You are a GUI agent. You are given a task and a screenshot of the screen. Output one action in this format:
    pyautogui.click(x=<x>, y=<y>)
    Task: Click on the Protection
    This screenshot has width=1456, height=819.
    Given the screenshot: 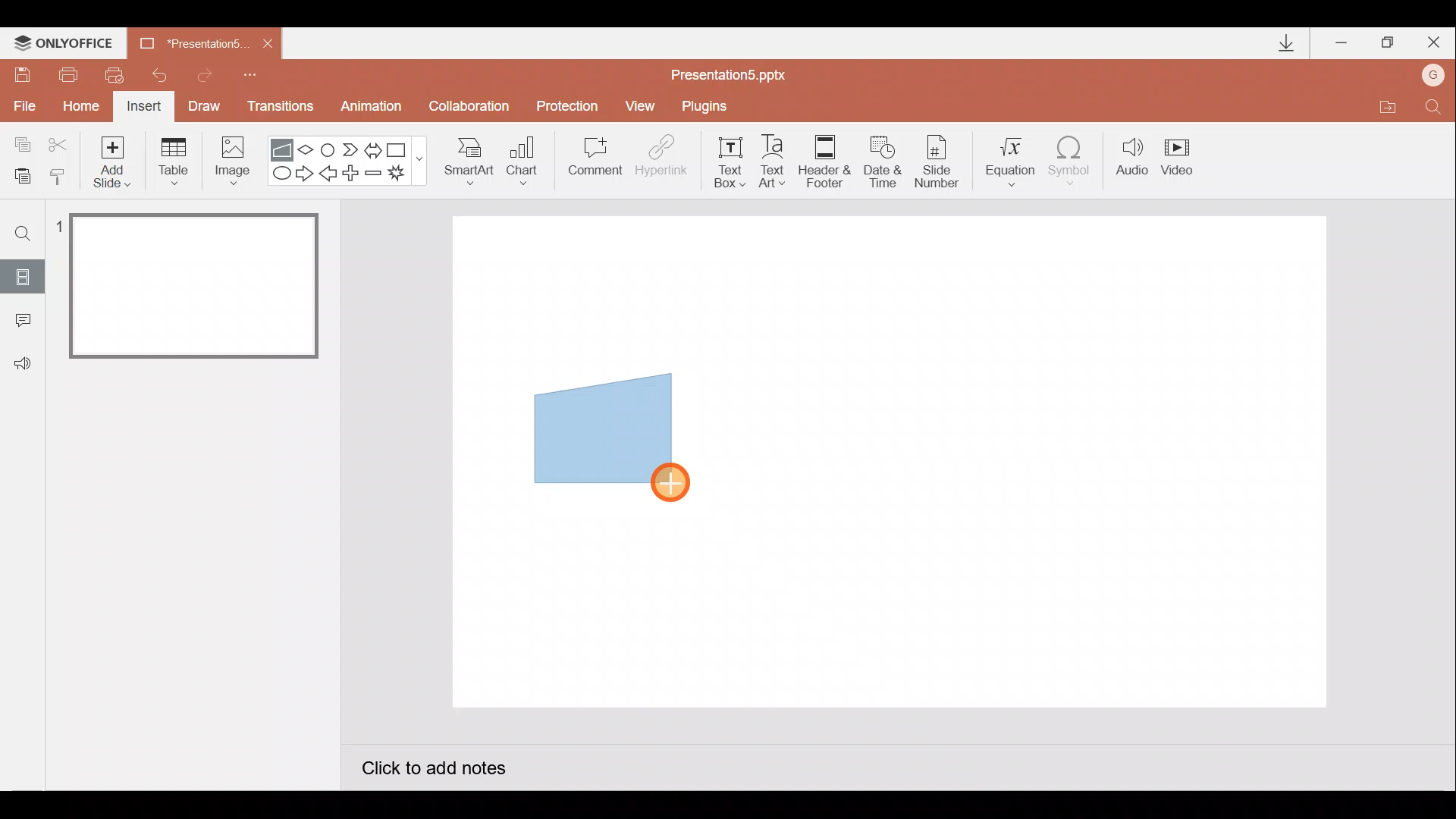 What is the action you would take?
    pyautogui.click(x=572, y=105)
    